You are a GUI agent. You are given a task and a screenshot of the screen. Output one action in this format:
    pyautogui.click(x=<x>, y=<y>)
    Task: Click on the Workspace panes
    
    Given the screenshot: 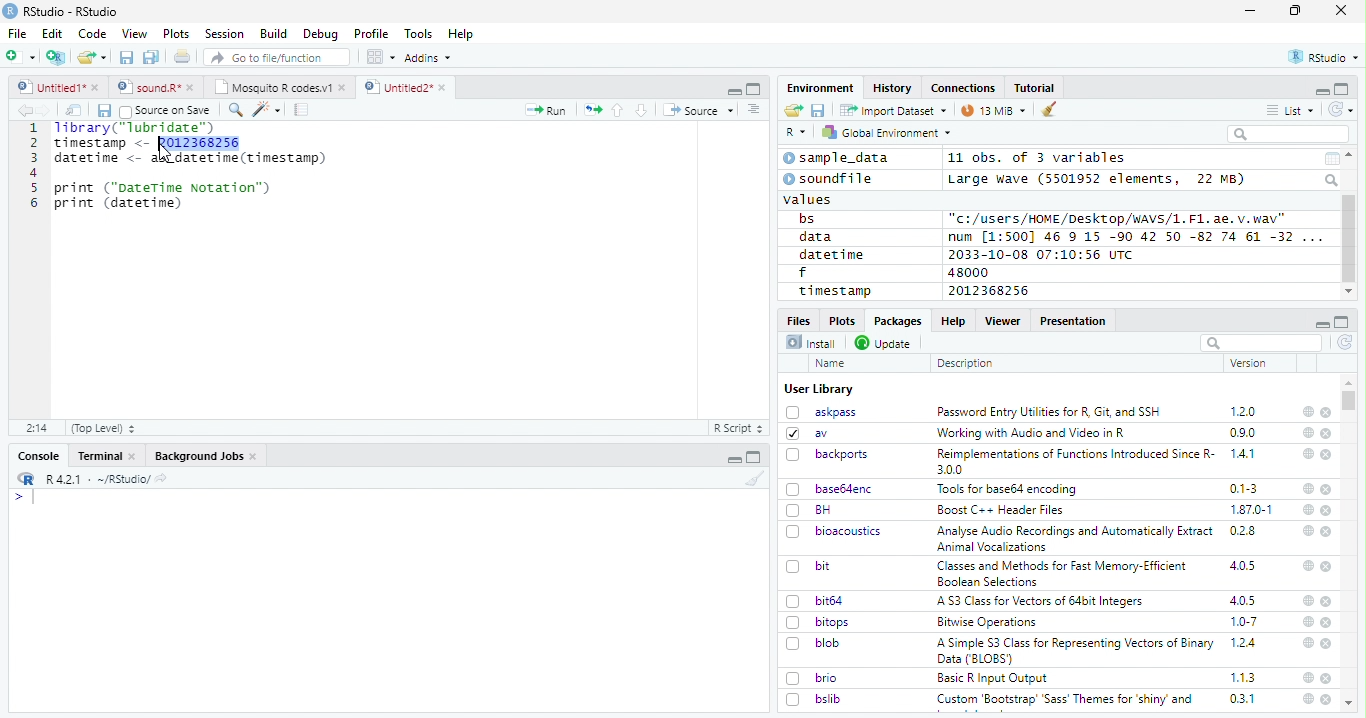 What is the action you would take?
    pyautogui.click(x=381, y=57)
    